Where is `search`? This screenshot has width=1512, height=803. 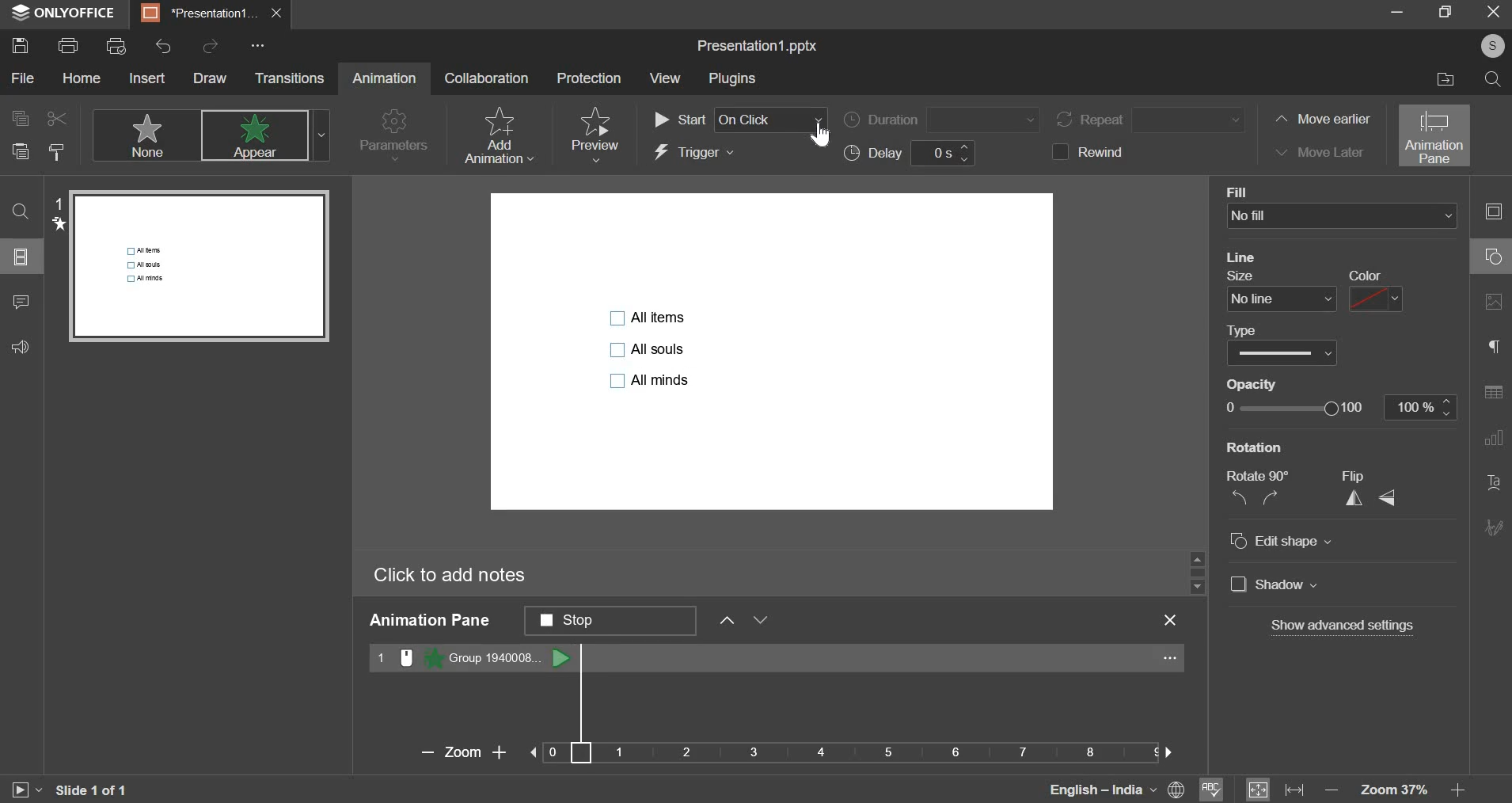 search is located at coordinates (1492, 78).